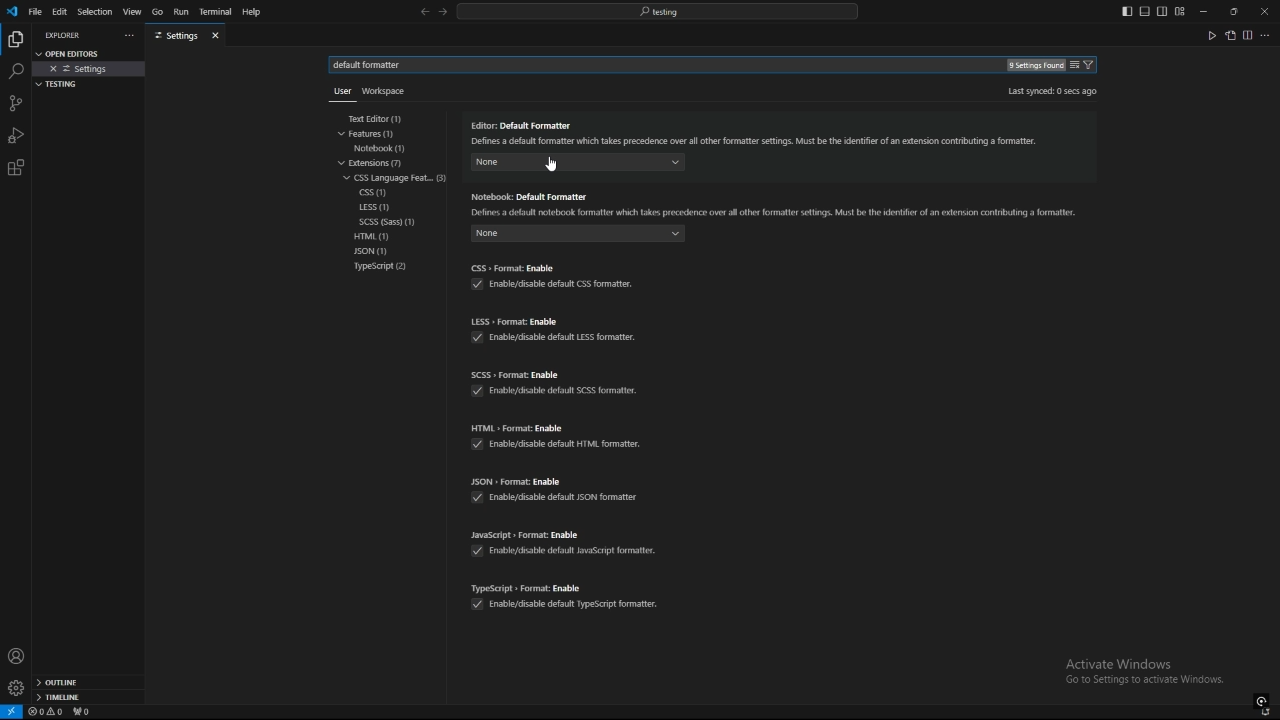 This screenshot has width=1280, height=720. Describe the element at coordinates (381, 163) in the screenshot. I see `extensions` at that location.